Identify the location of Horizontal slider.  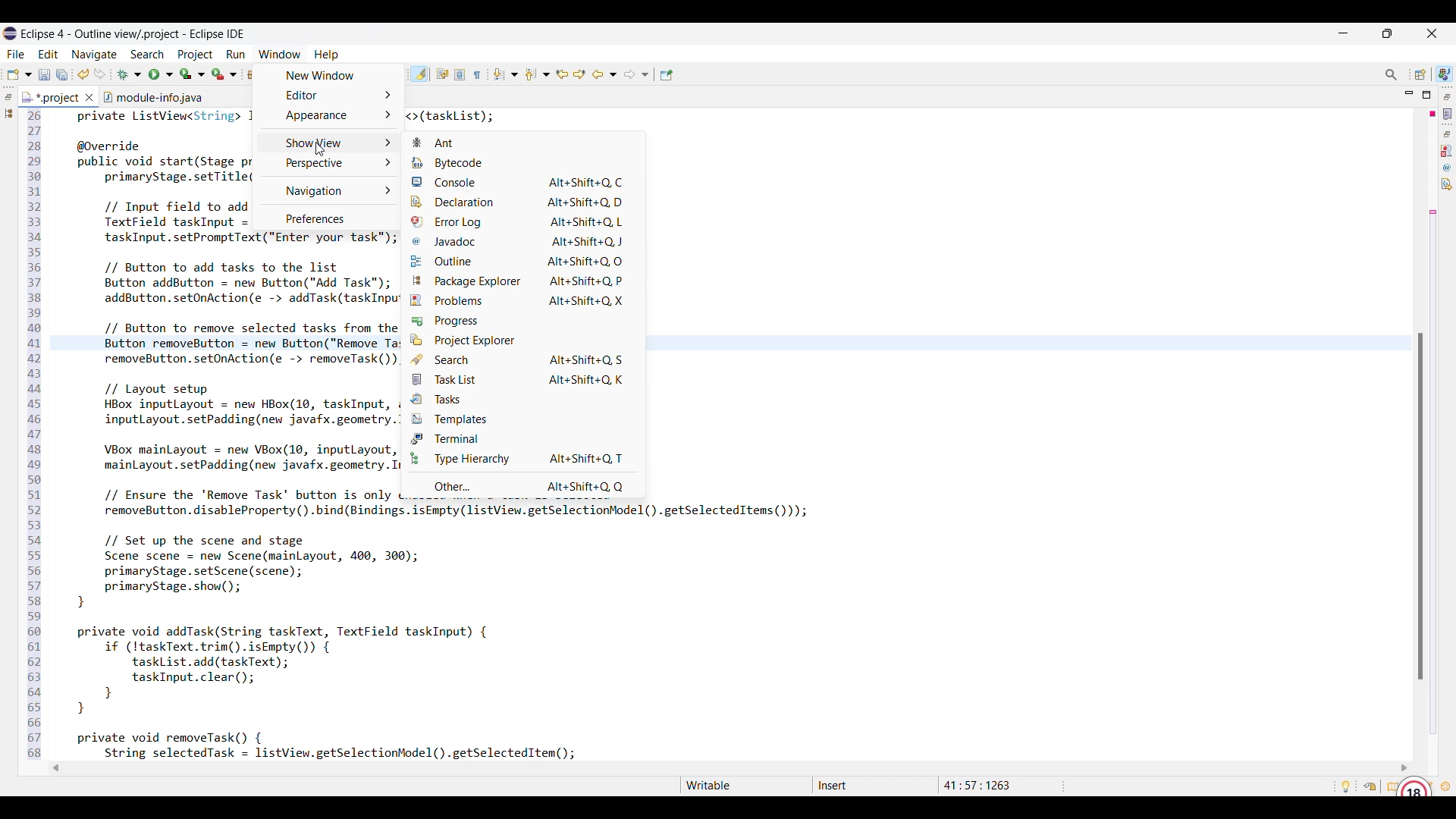
(730, 768).